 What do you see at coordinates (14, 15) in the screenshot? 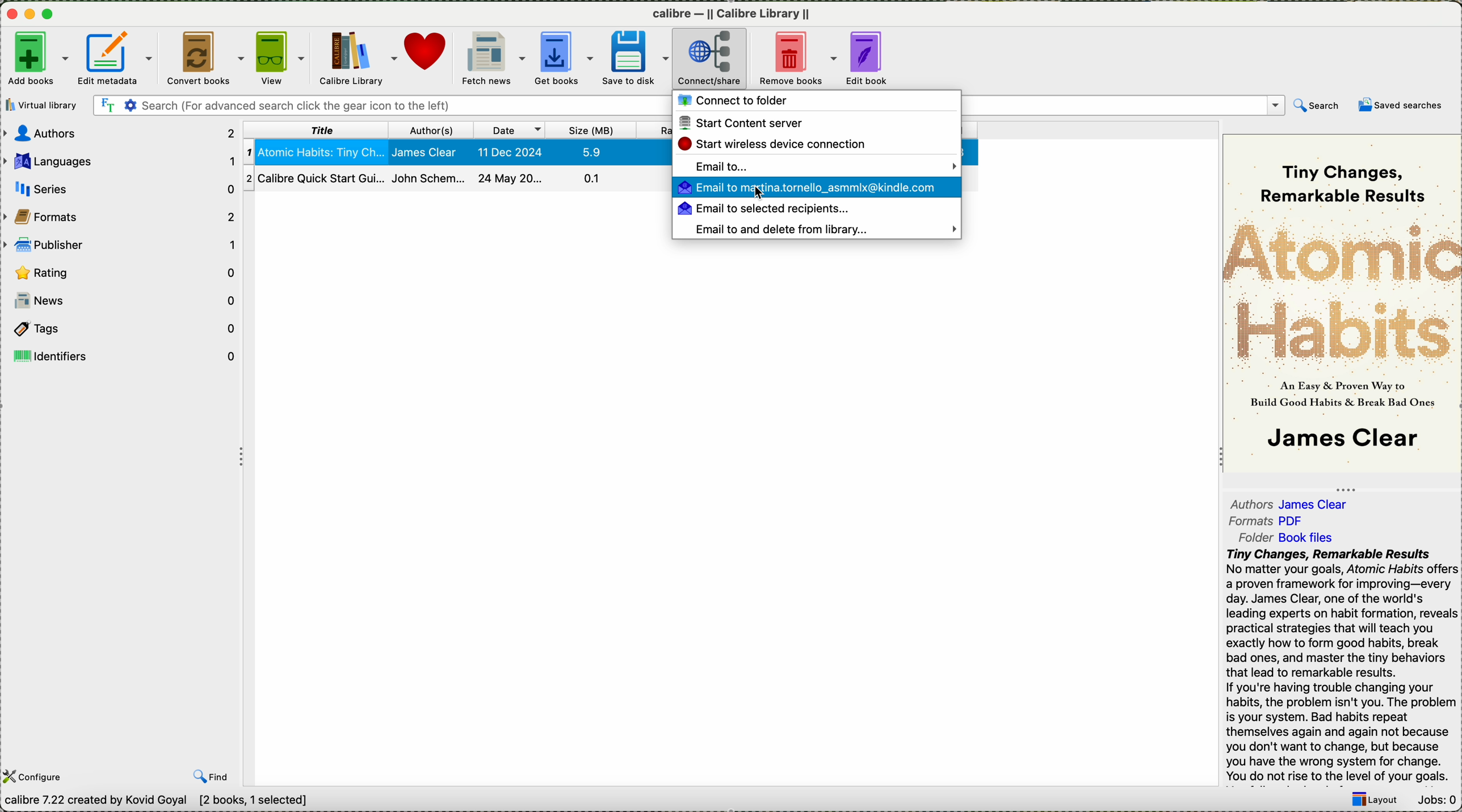
I see `close` at bounding box center [14, 15].